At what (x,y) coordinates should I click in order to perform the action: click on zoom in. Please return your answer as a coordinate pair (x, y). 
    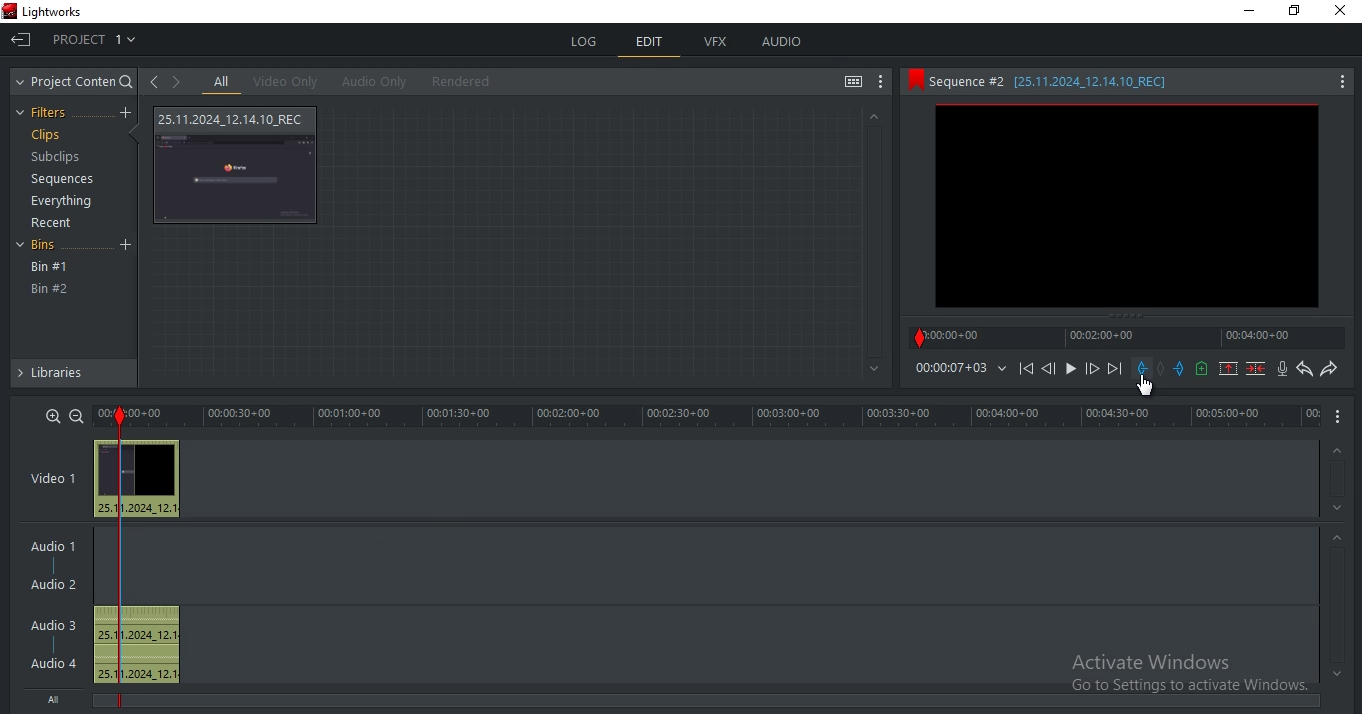
    Looking at the image, I should click on (54, 415).